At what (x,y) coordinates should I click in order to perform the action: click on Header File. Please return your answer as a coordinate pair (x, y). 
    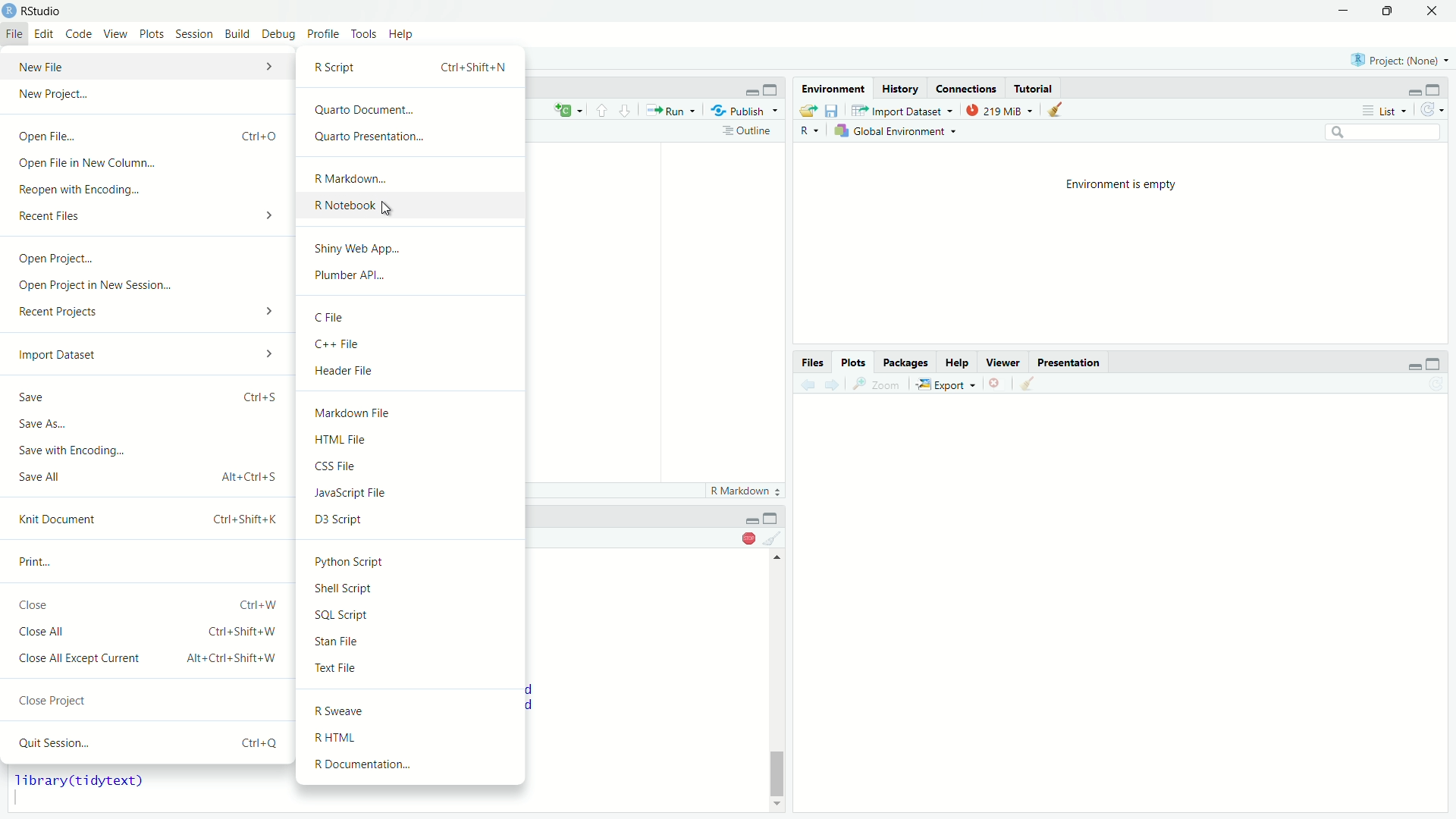
    Looking at the image, I should click on (413, 371).